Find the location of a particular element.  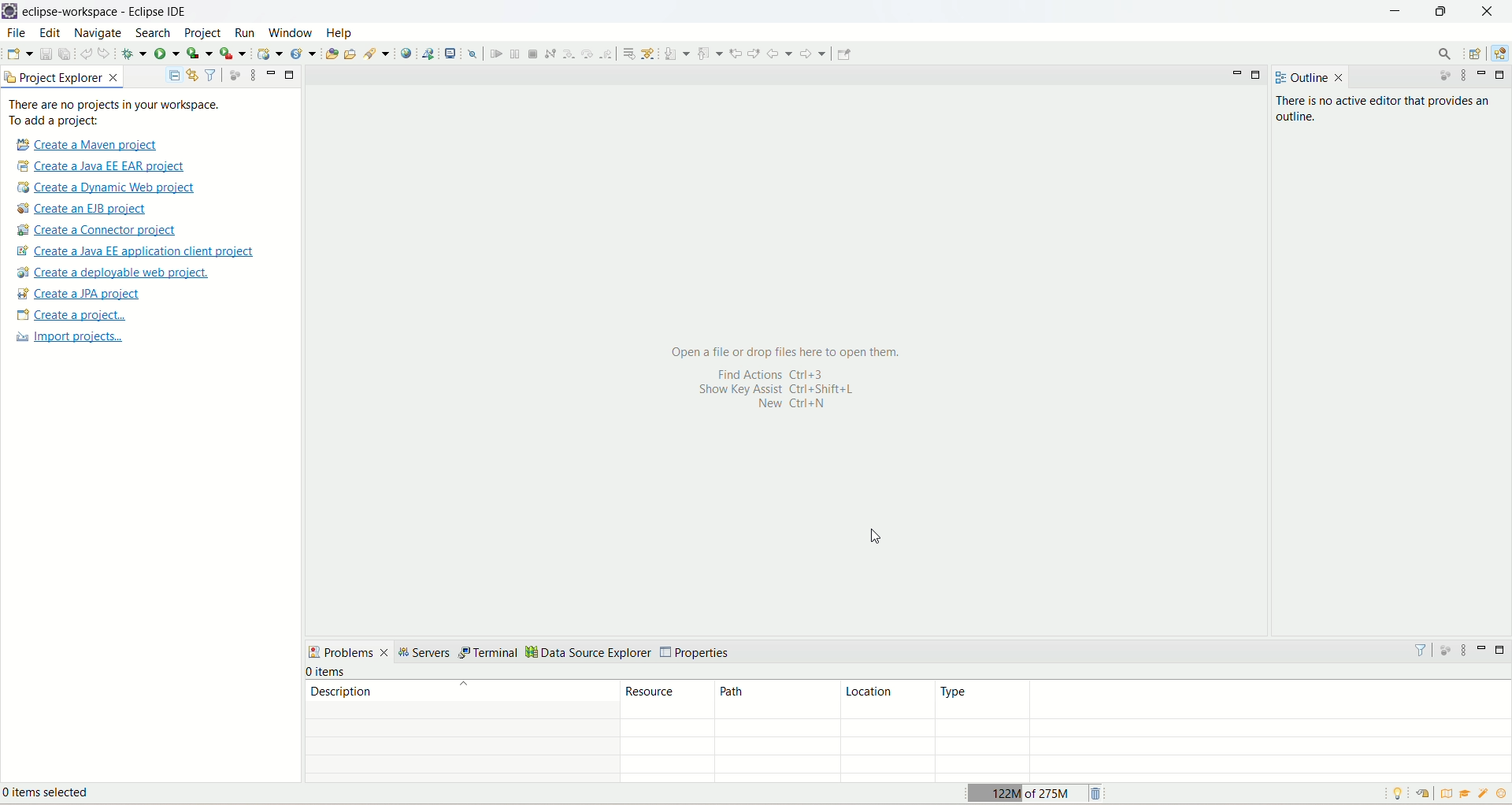

Show Key Assist Ctrl+Shift+L is located at coordinates (793, 390).